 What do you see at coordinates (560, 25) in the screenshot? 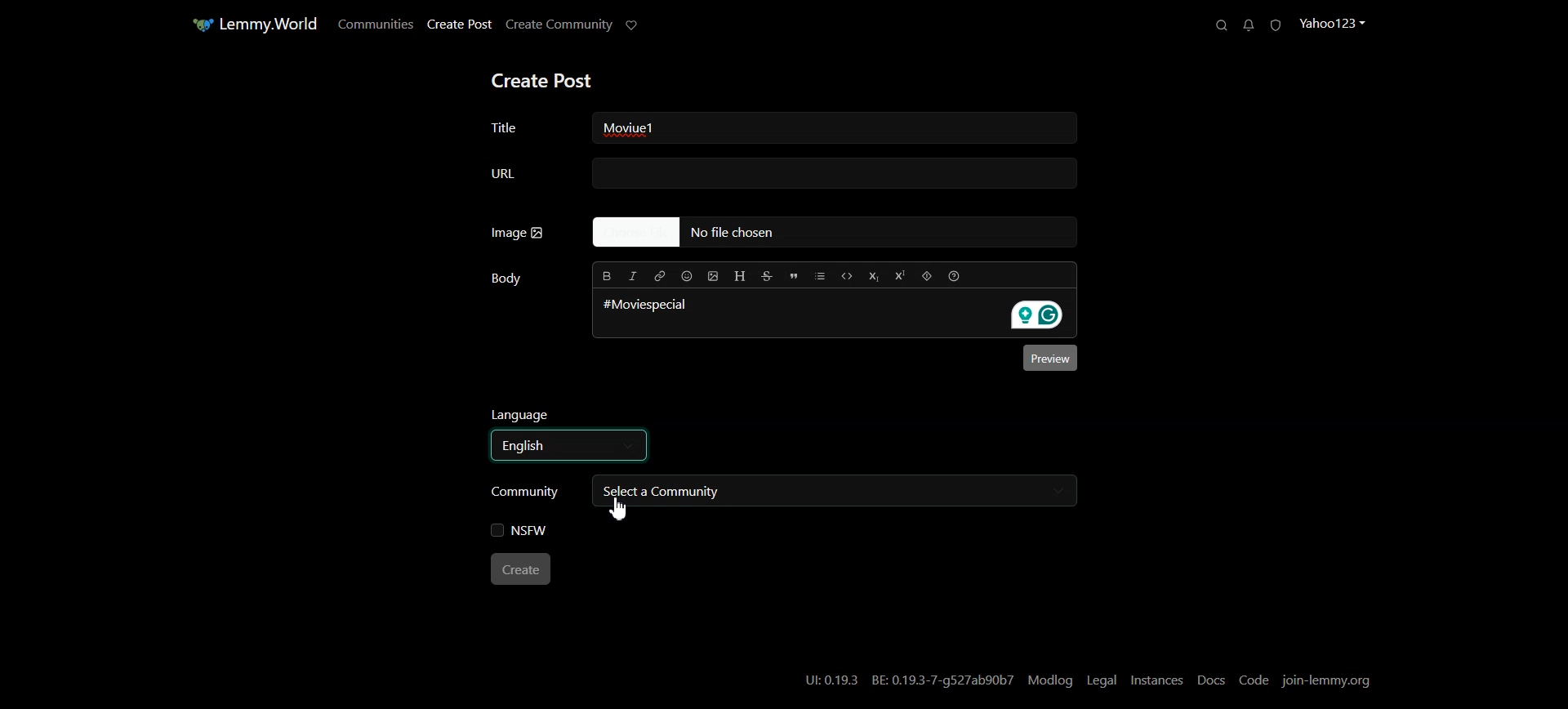
I see `Create Community` at bounding box center [560, 25].